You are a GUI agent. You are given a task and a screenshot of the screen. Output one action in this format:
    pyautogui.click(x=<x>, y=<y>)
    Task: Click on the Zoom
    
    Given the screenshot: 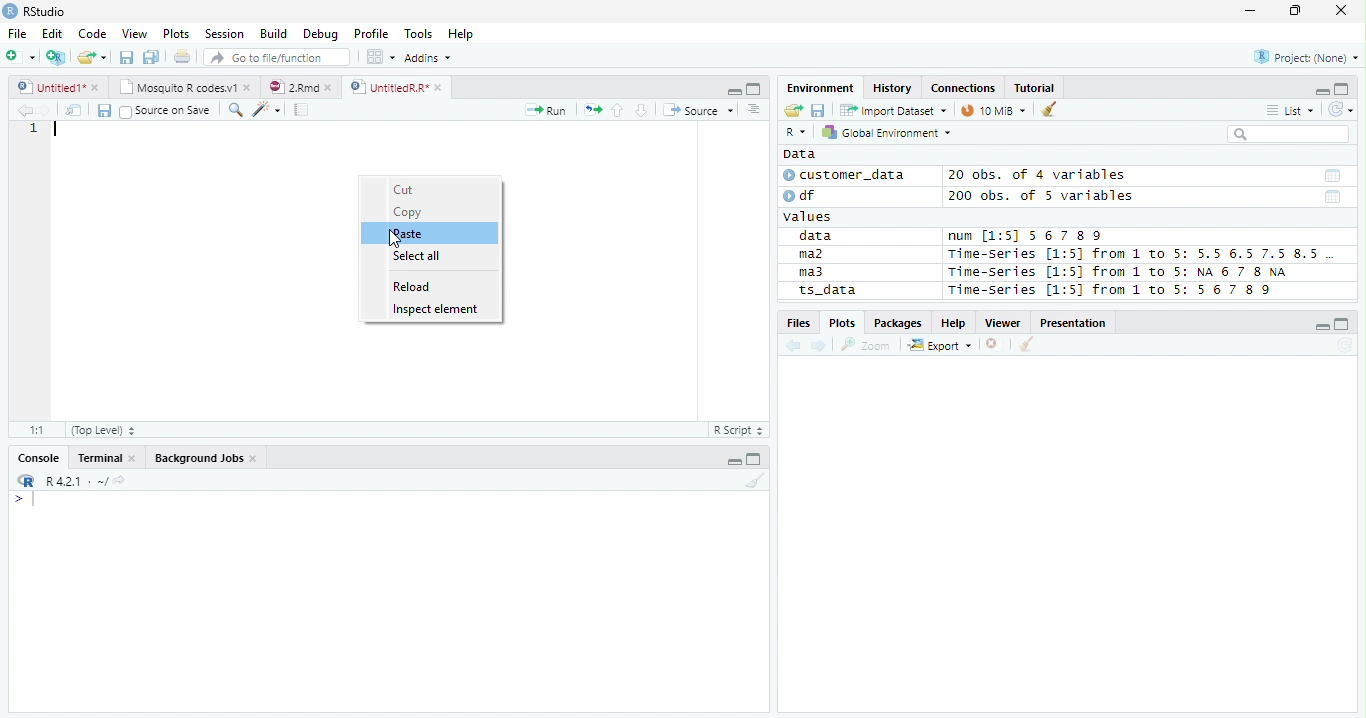 What is the action you would take?
    pyautogui.click(x=866, y=345)
    